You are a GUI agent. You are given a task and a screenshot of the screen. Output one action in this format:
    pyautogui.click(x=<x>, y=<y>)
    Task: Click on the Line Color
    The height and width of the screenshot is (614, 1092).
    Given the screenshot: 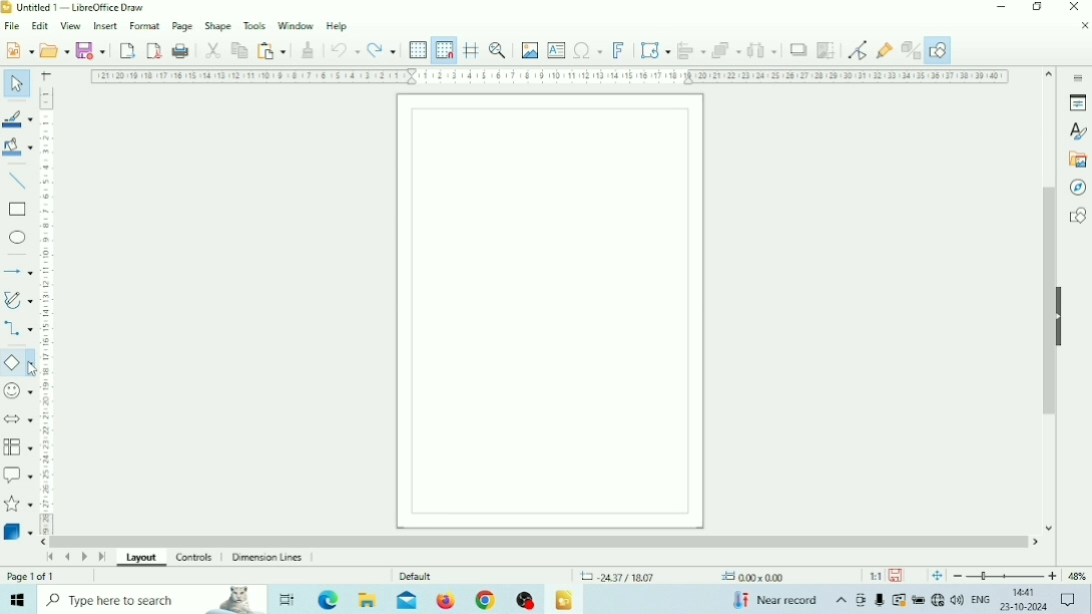 What is the action you would take?
    pyautogui.click(x=18, y=119)
    